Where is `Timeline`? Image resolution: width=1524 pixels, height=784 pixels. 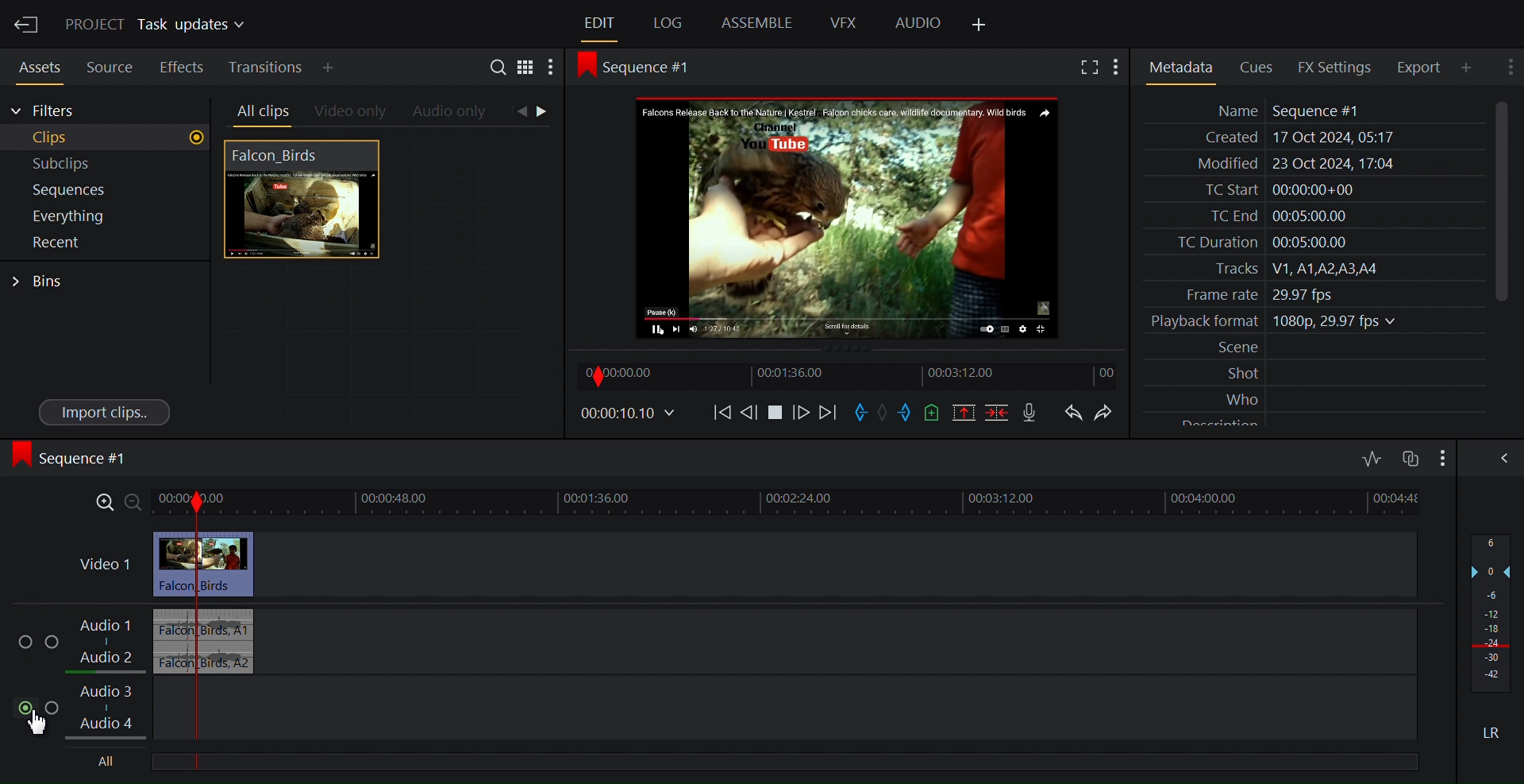
Timeline is located at coordinates (851, 376).